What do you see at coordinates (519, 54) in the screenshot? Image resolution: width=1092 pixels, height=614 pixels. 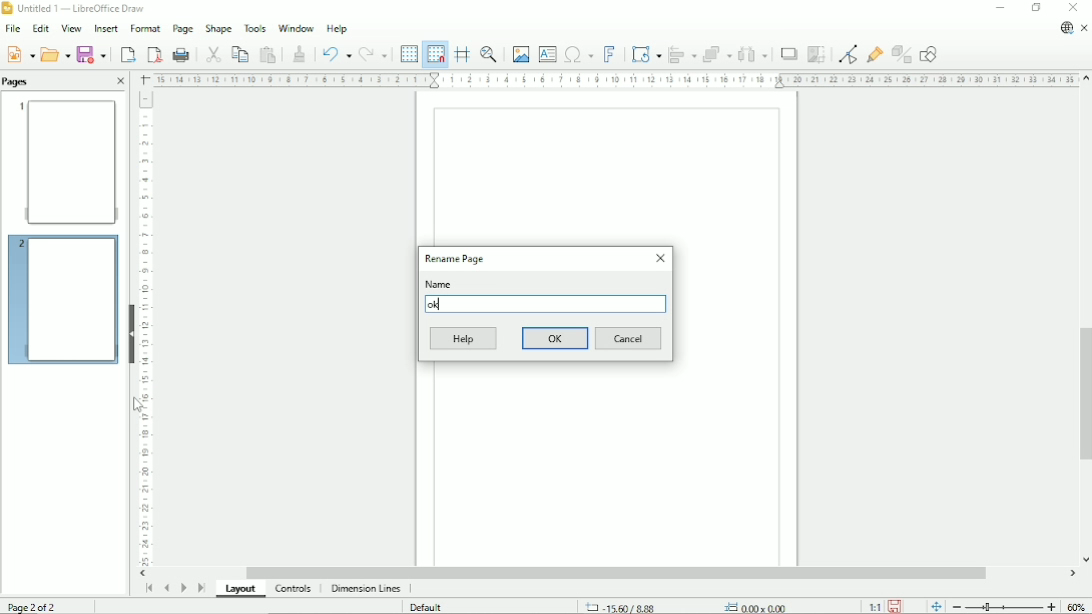 I see `Insert image` at bounding box center [519, 54].